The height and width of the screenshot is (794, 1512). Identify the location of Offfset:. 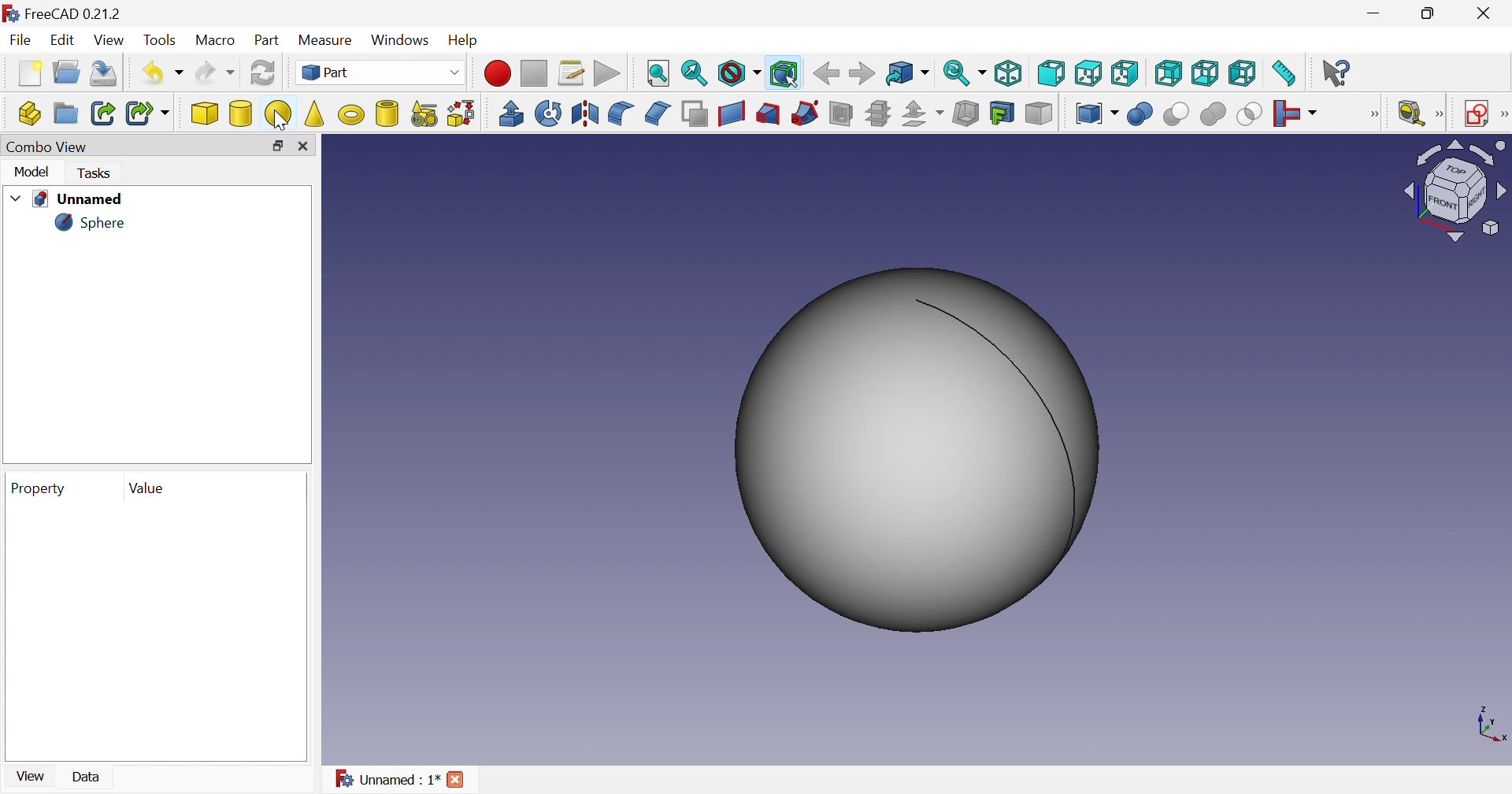
(923, 113).